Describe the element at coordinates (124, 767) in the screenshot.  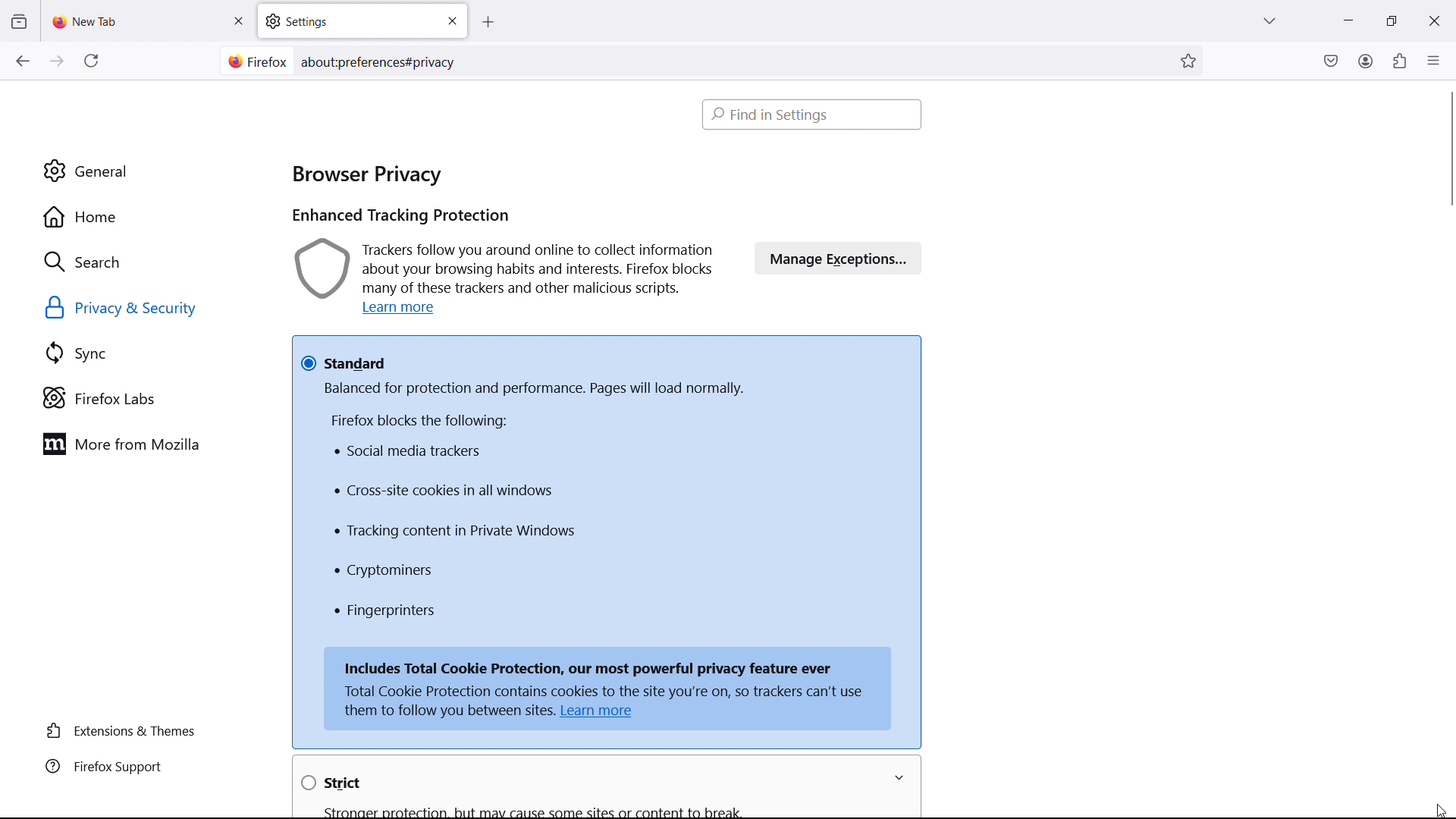
I see `firefox support` at that location.